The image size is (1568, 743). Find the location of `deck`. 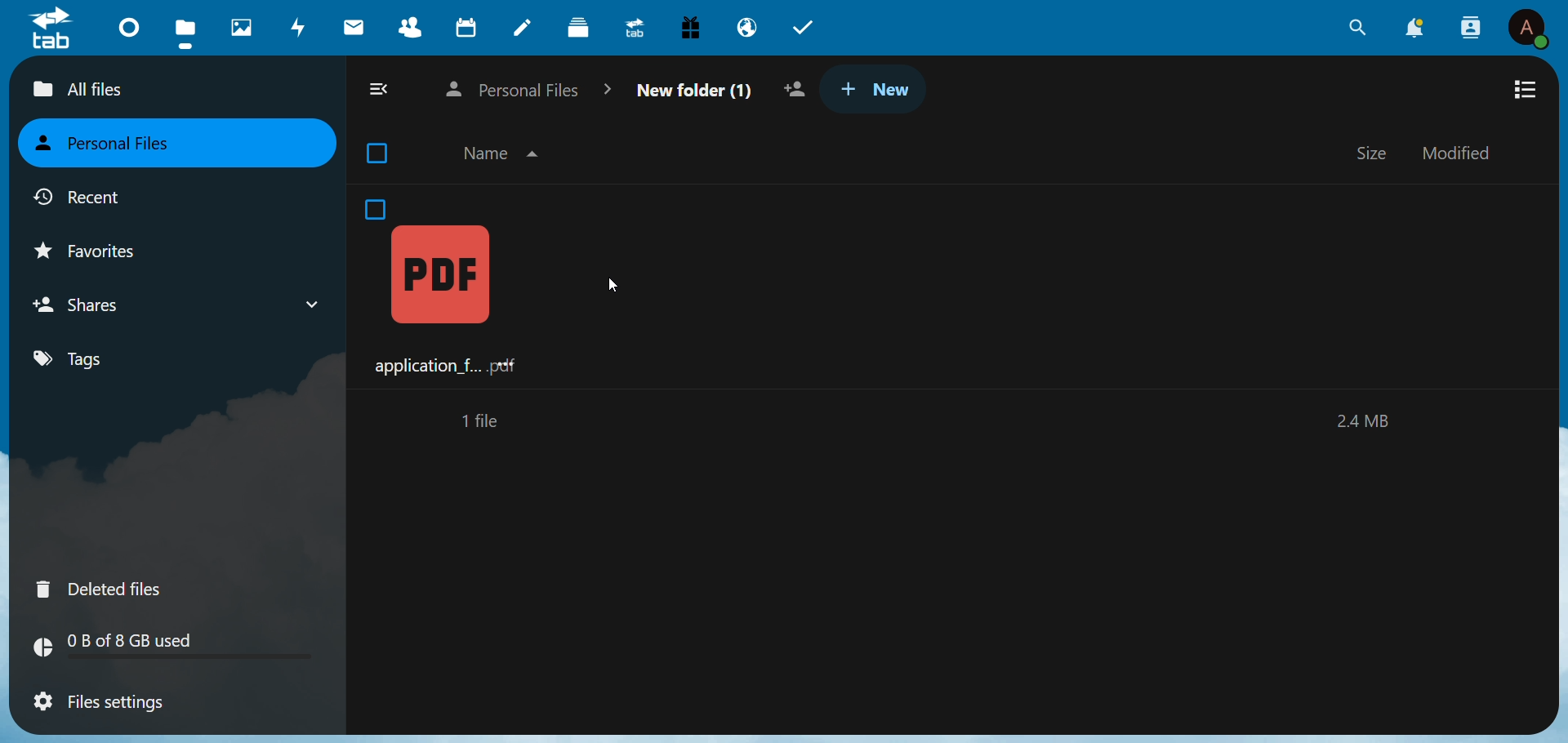

deck is located at coordinates (581, 28).